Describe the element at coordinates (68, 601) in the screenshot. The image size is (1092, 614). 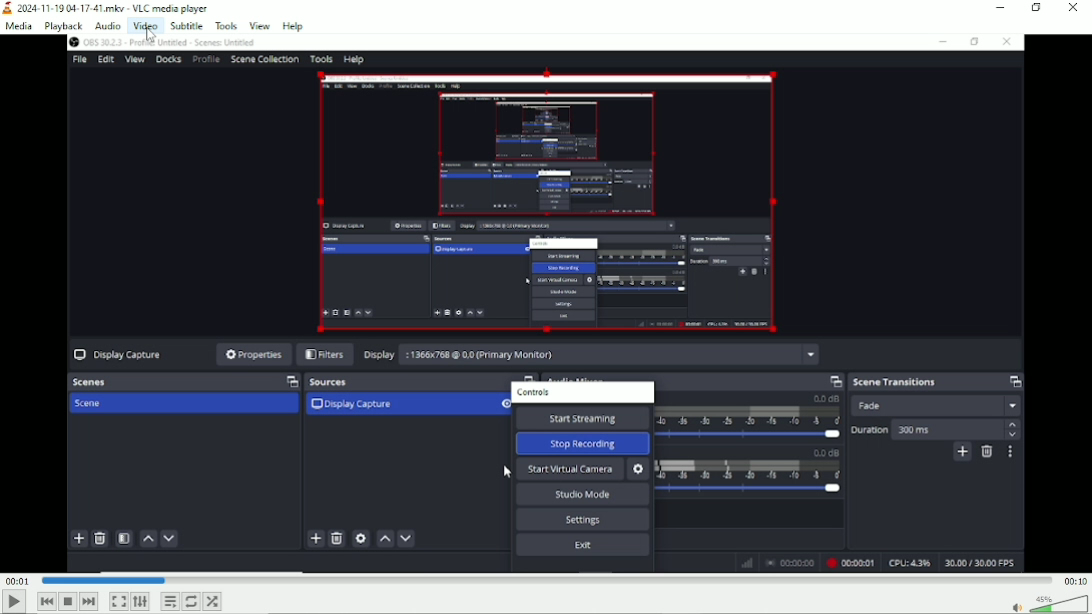
I see `Stop playlist` at that location.